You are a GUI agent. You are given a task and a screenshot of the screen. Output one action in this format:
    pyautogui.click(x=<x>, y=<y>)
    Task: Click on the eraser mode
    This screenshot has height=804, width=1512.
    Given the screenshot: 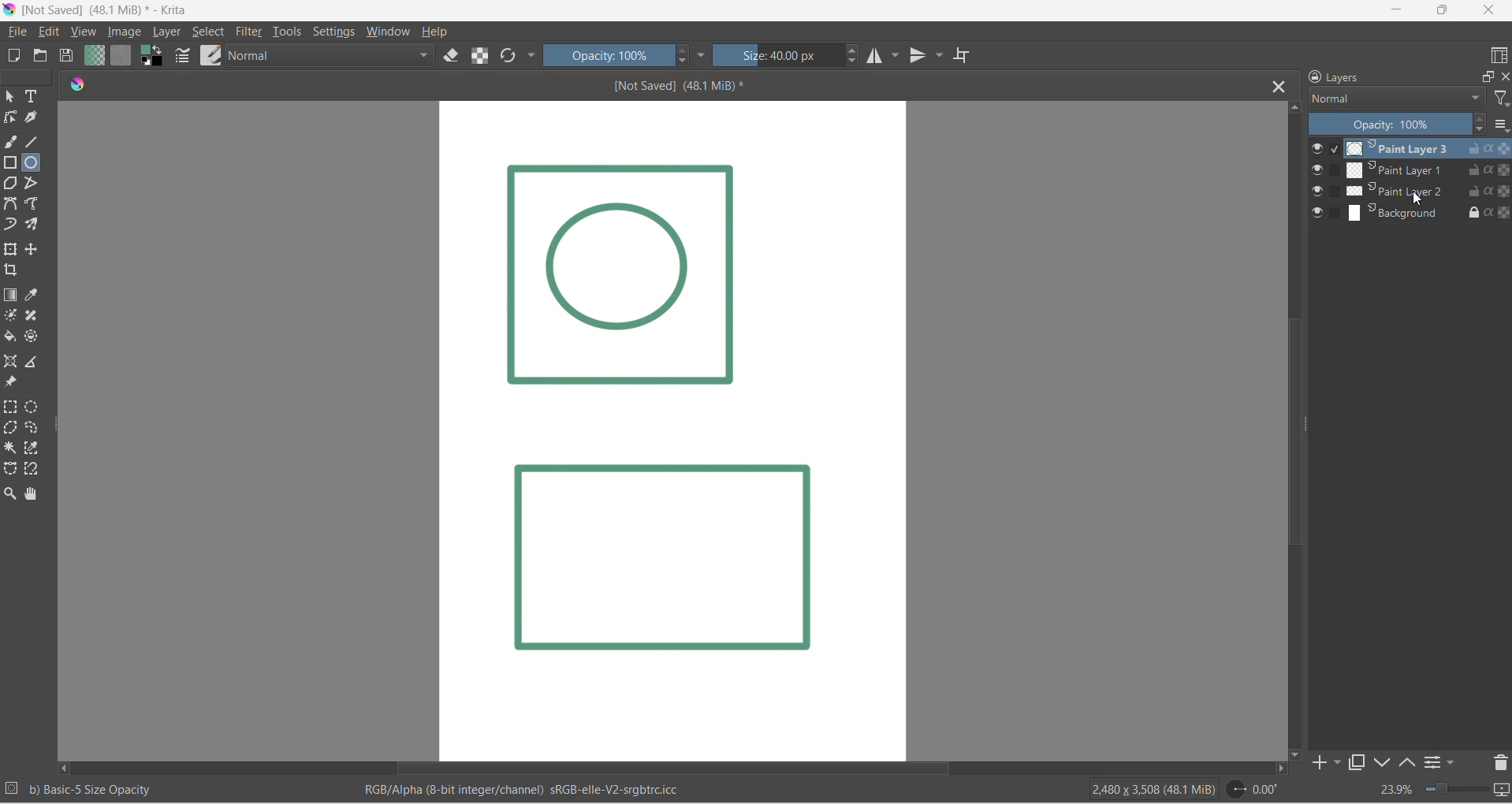 What is the action you would take?
    pyautogui.click(x=452, y=57)
    